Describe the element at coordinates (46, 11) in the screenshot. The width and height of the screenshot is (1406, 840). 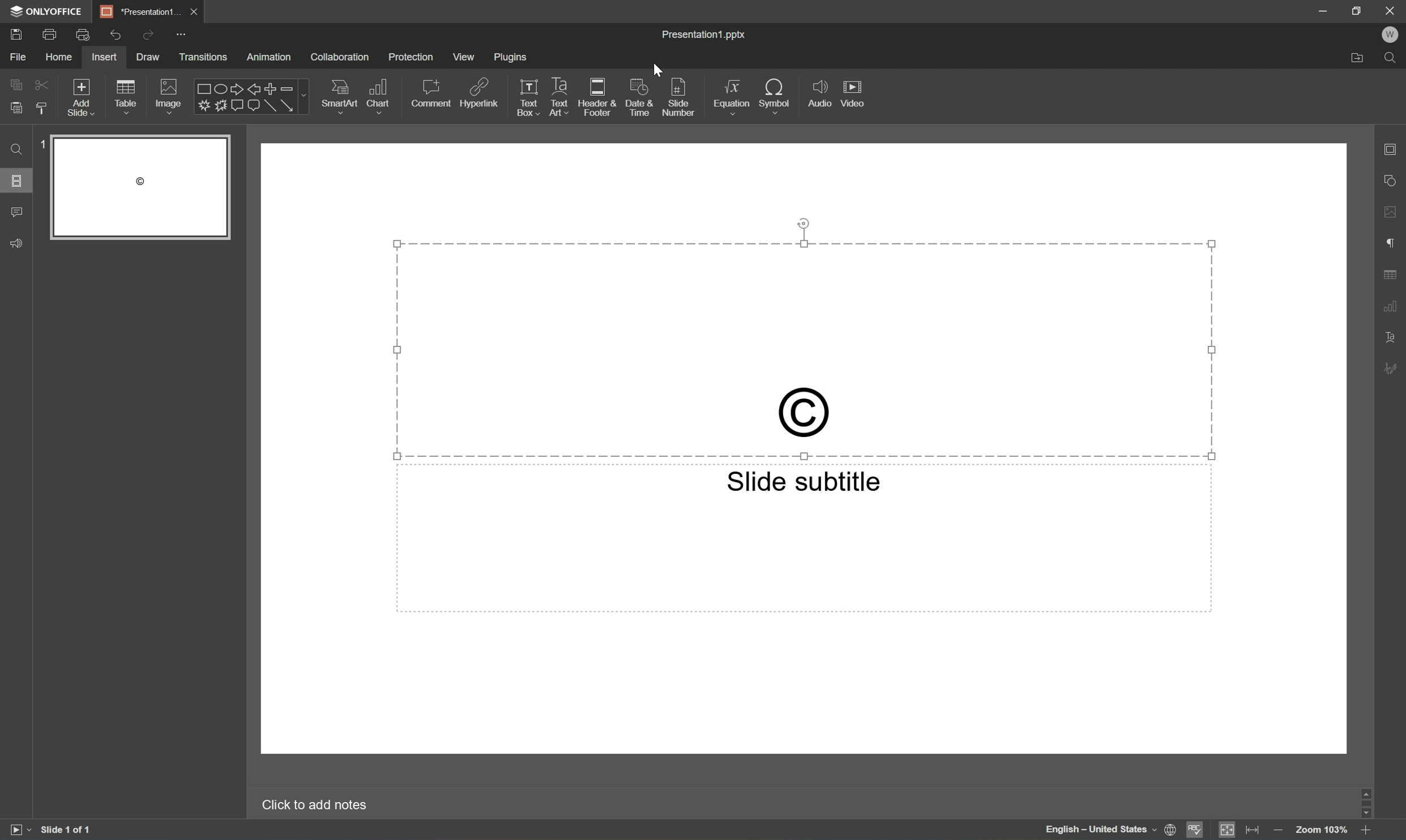
I see `ONLYOFFICE` at that location.